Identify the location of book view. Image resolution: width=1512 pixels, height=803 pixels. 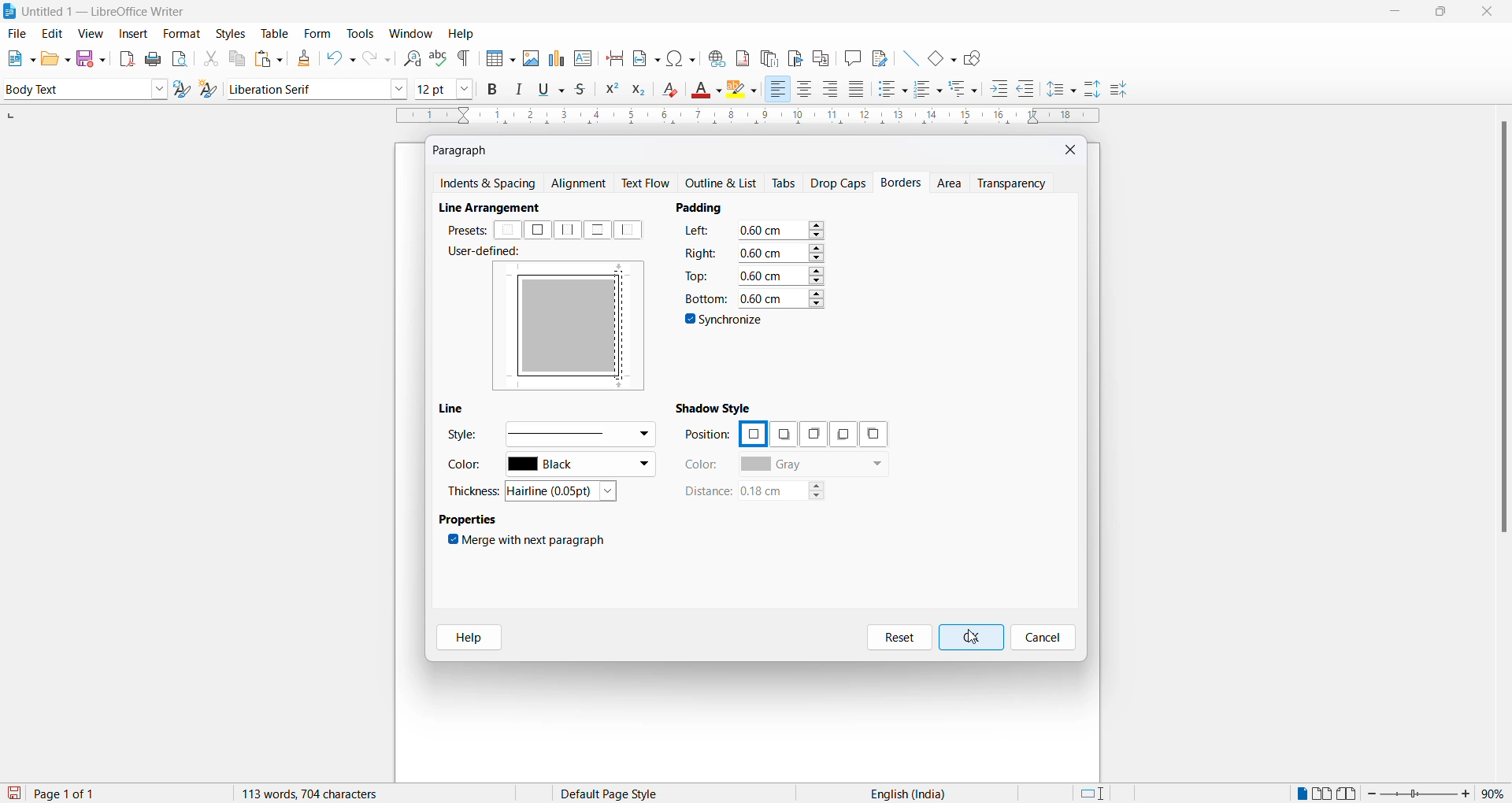
(1351, 794).